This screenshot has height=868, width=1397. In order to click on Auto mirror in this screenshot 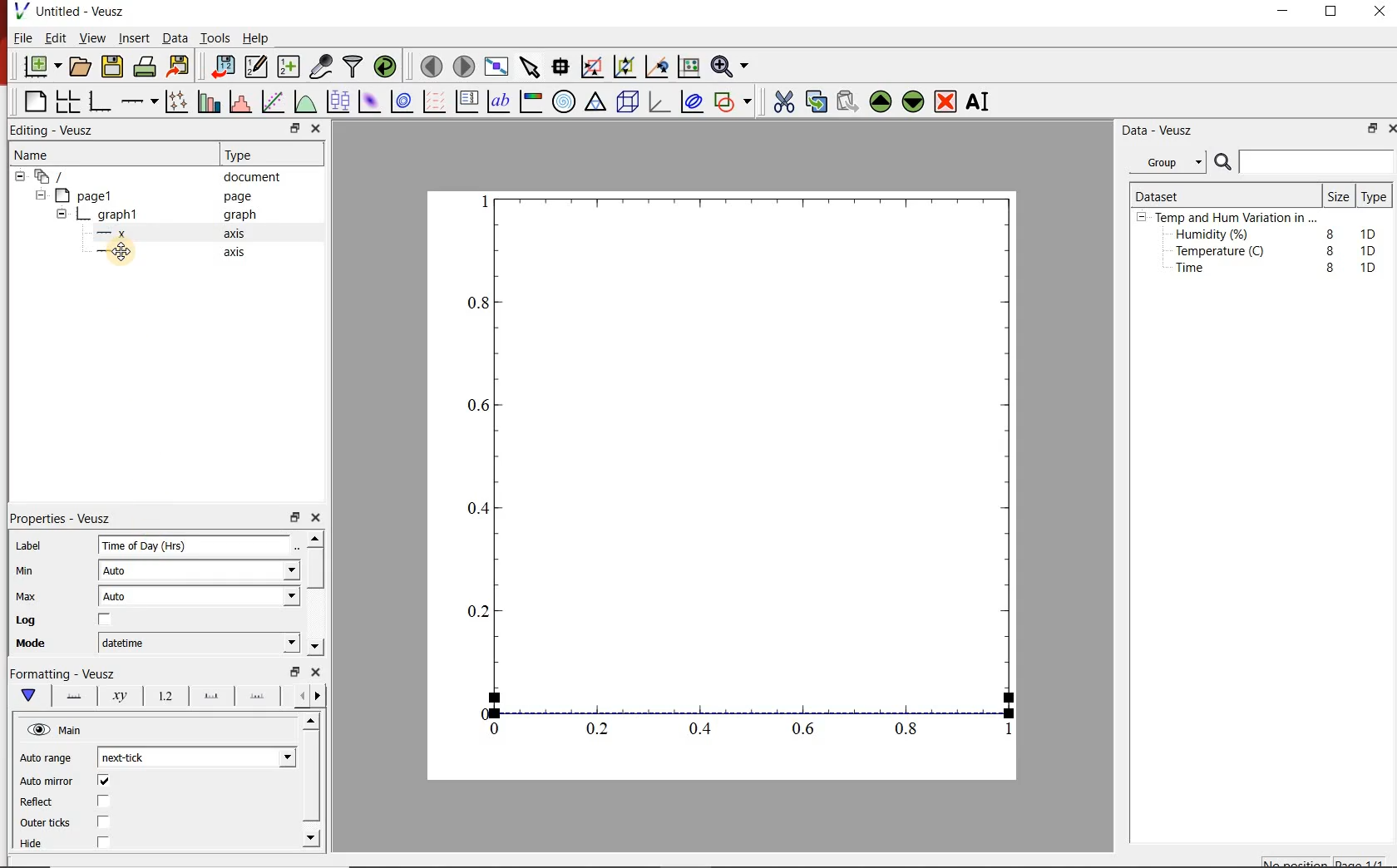, I will do `click(67, 782)`.